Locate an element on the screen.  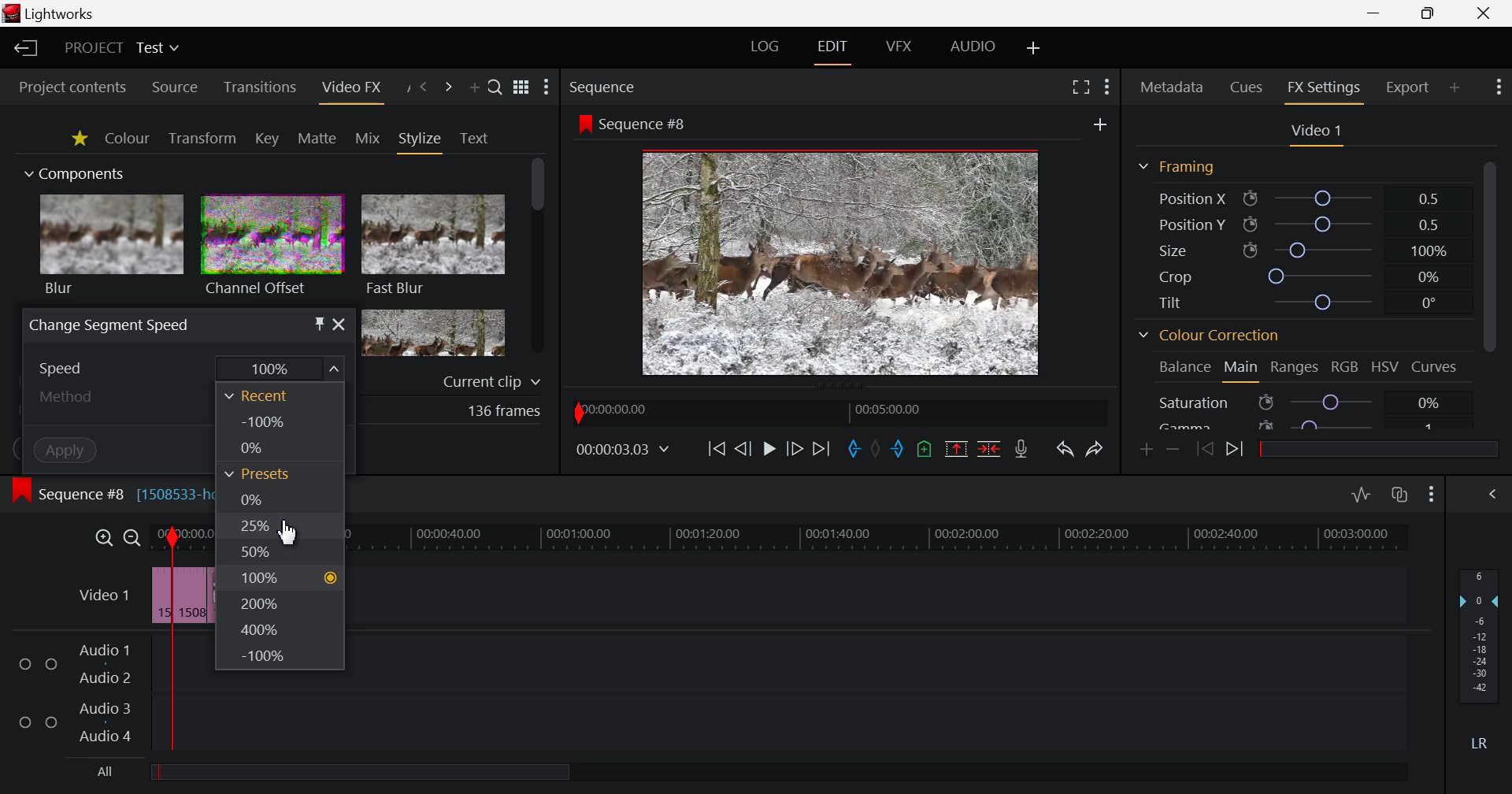
Scroll Bar is located at coordinates (1490, 291).